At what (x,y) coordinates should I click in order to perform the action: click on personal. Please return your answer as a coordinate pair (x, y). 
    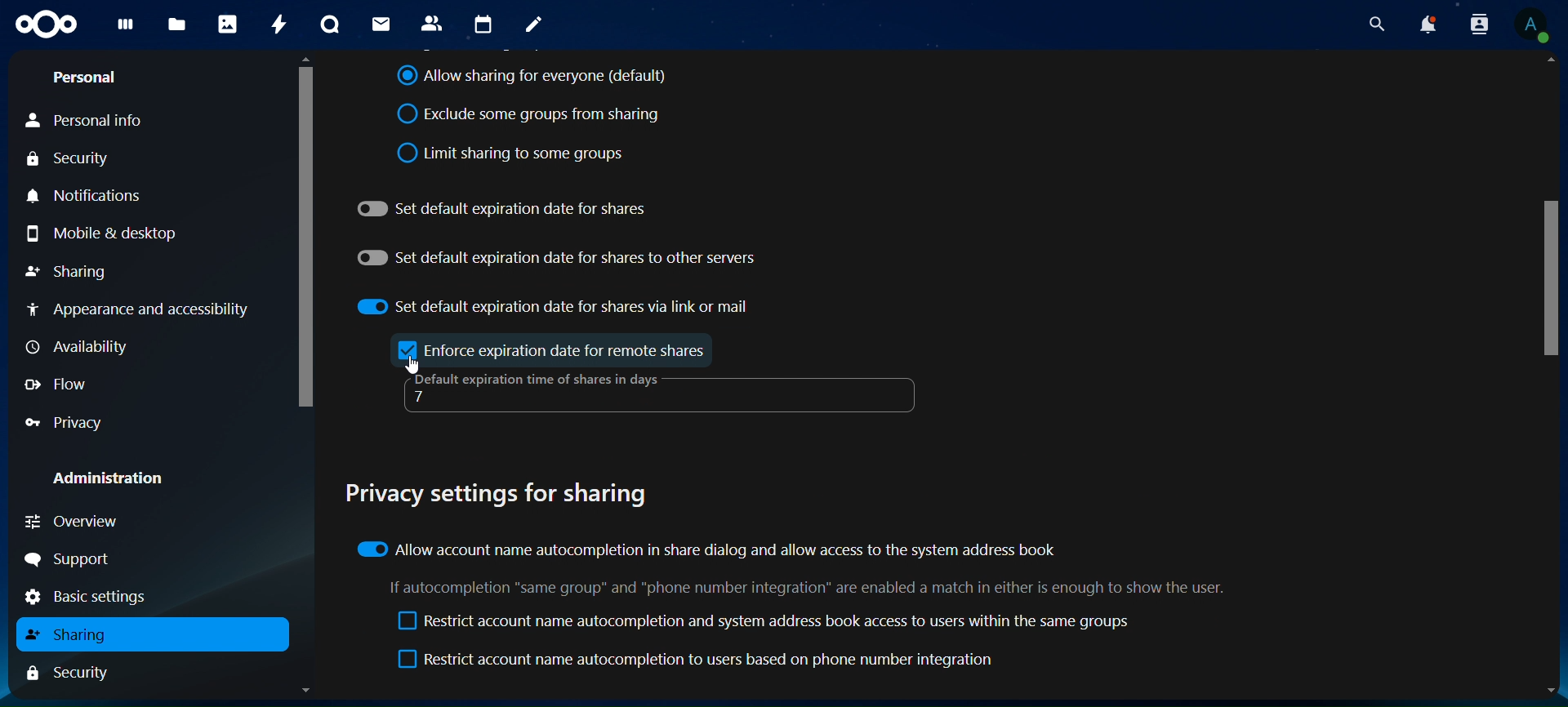
    Looking at the image, I should click on (87, 78).